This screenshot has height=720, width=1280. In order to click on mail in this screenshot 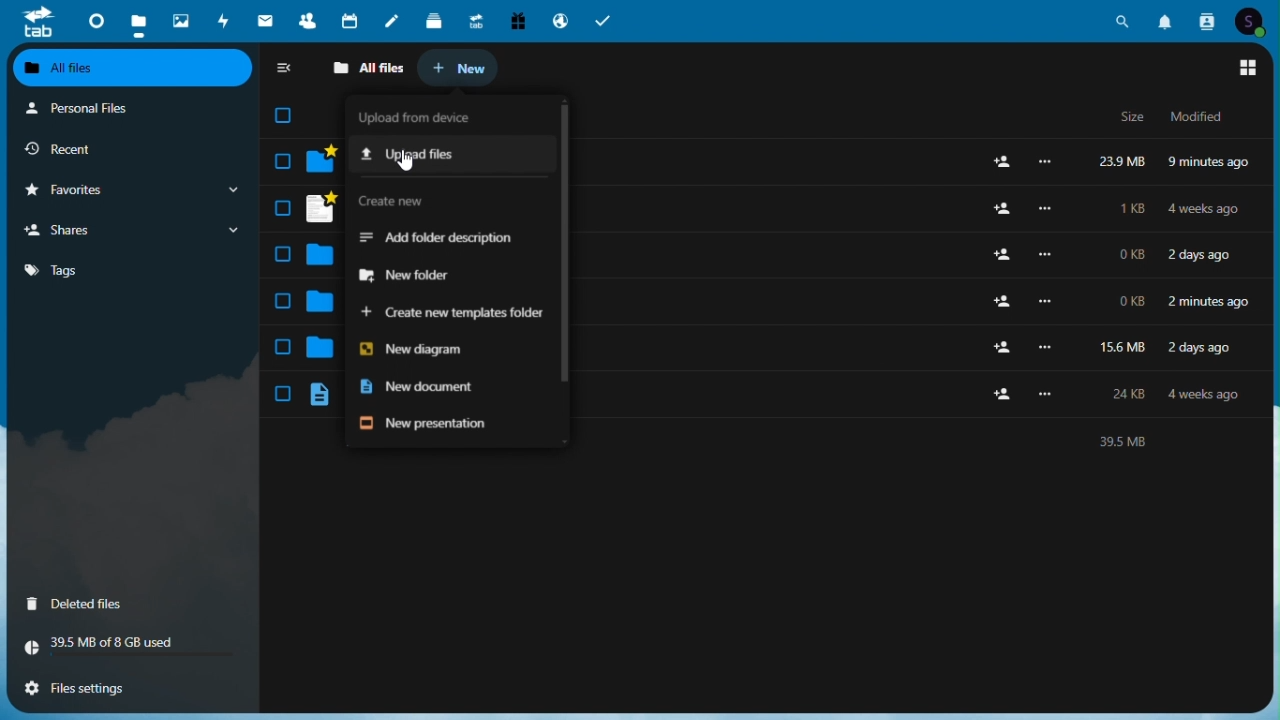, I will do `click(264, 19)`.